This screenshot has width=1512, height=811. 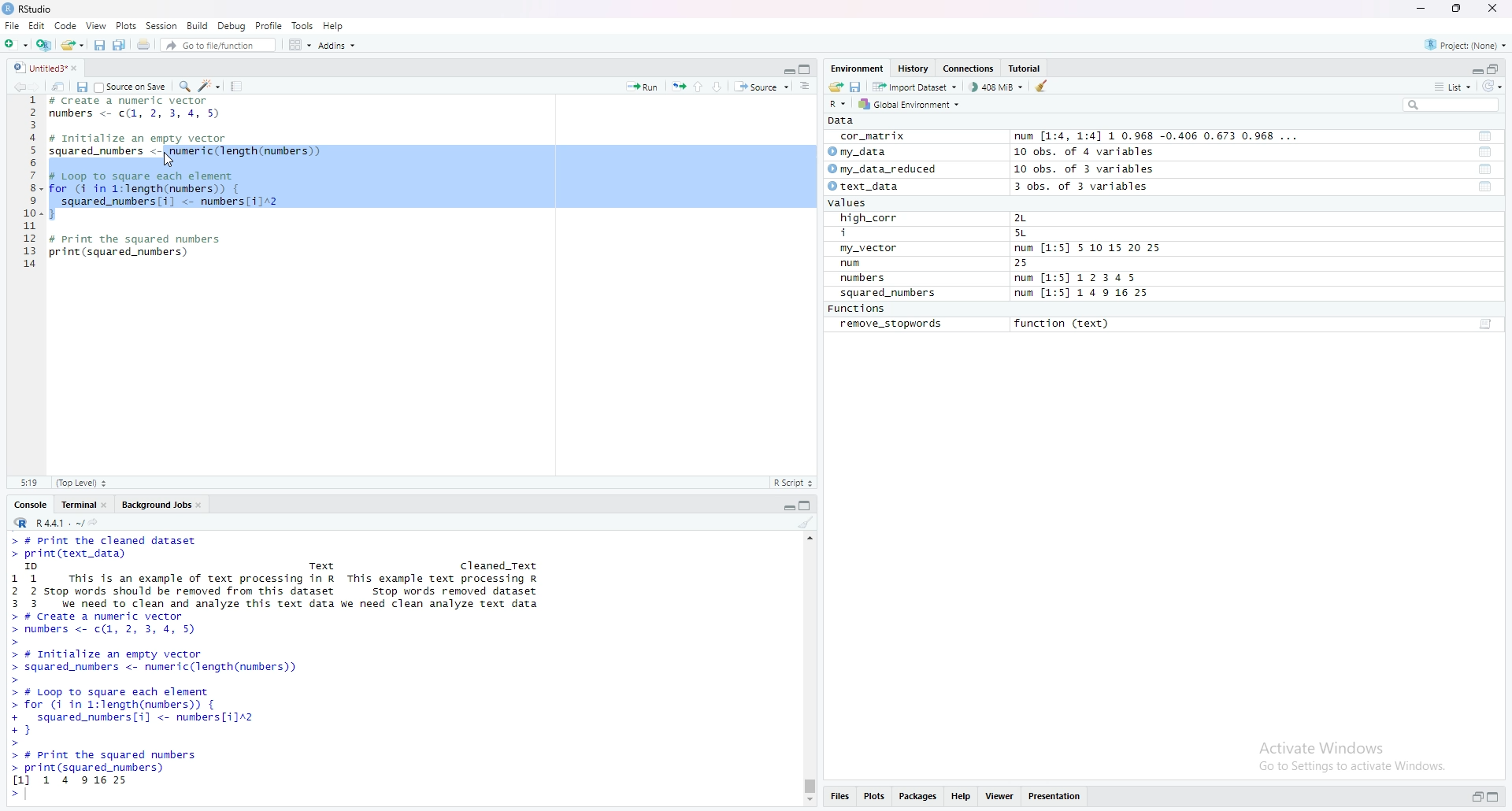 I want to click on Create a Project, so click(x=43, y=43).